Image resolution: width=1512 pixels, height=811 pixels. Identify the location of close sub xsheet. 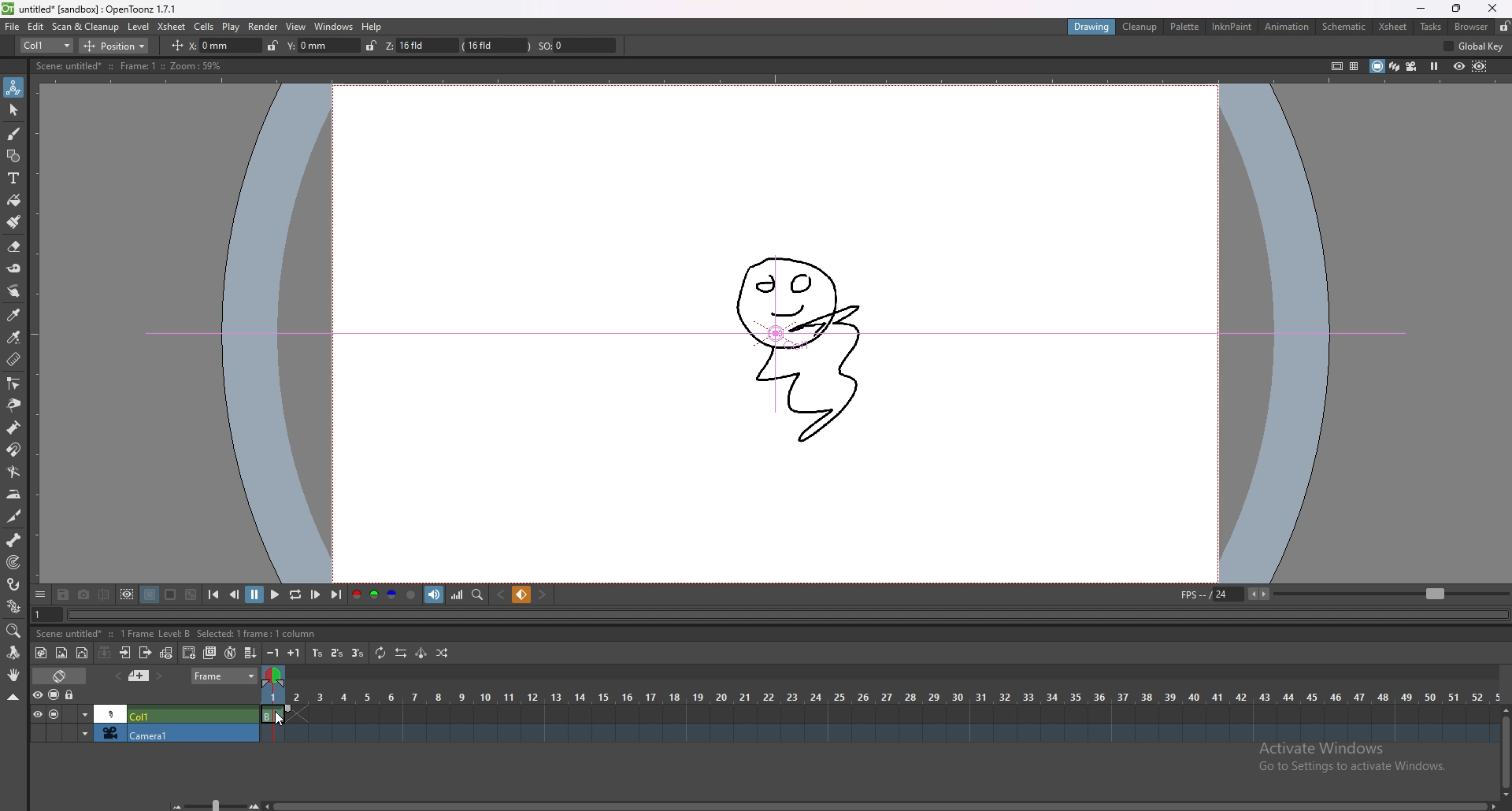
(145, 653).